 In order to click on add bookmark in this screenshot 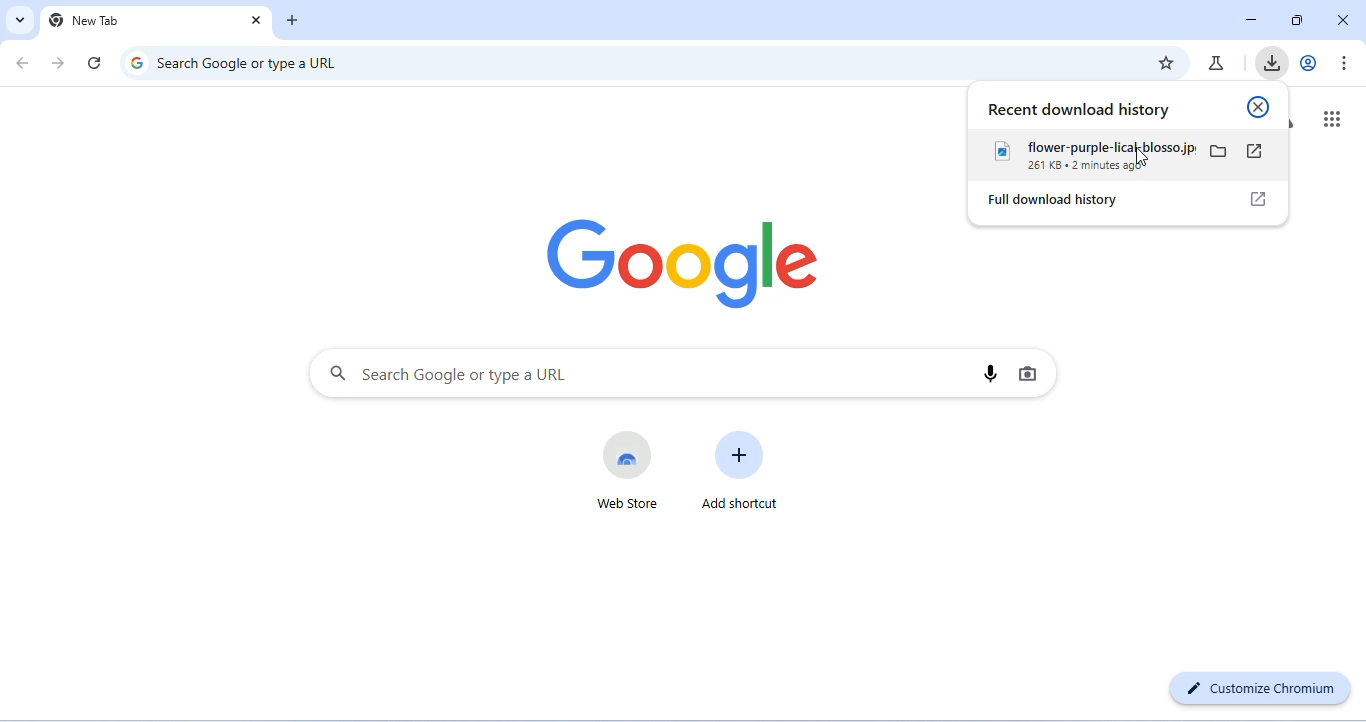, I will do `click(1165, 62)`.